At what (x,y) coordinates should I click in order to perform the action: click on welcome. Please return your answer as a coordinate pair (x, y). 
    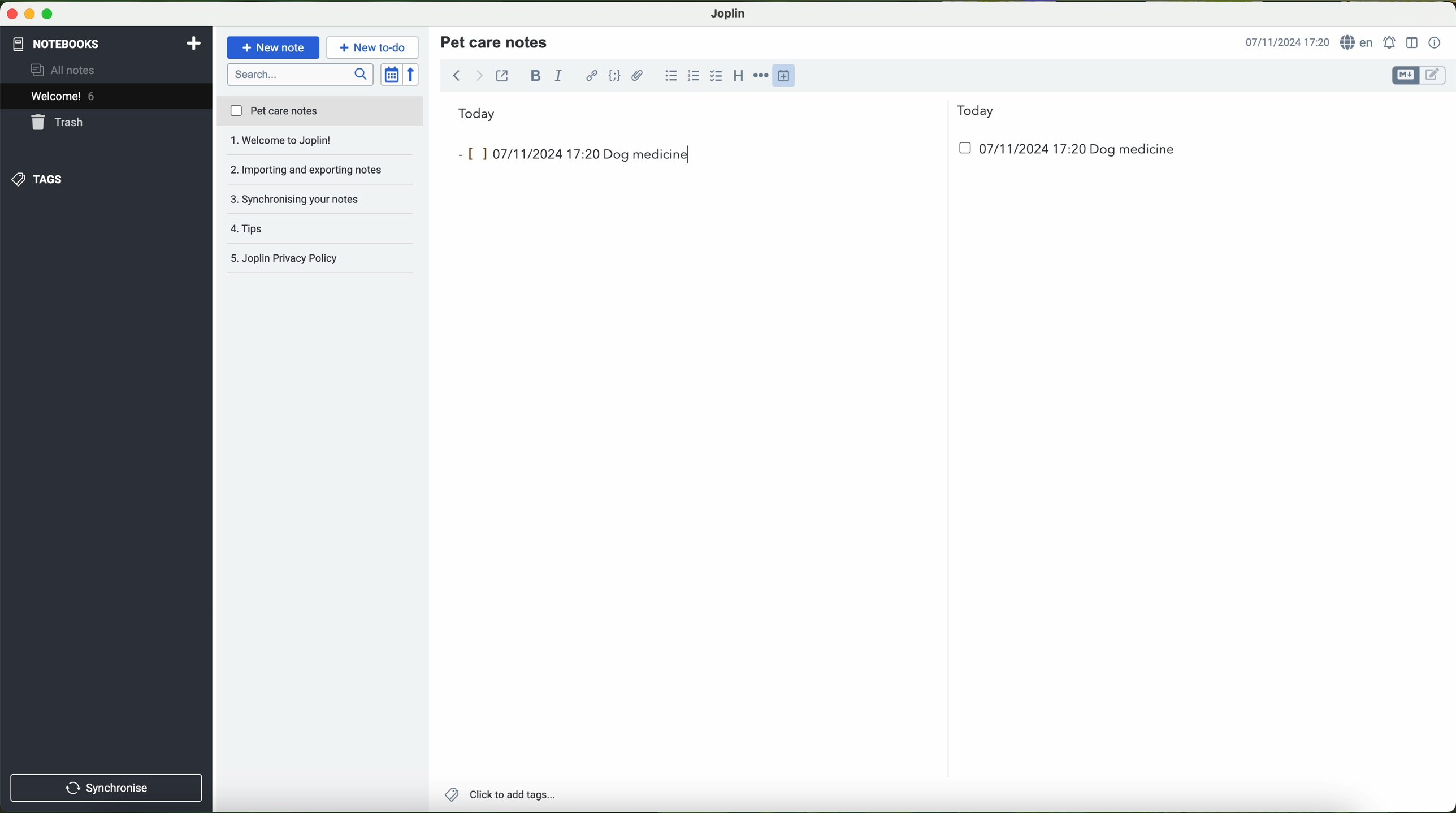
    Looking at the image, I should click on (106, 98).